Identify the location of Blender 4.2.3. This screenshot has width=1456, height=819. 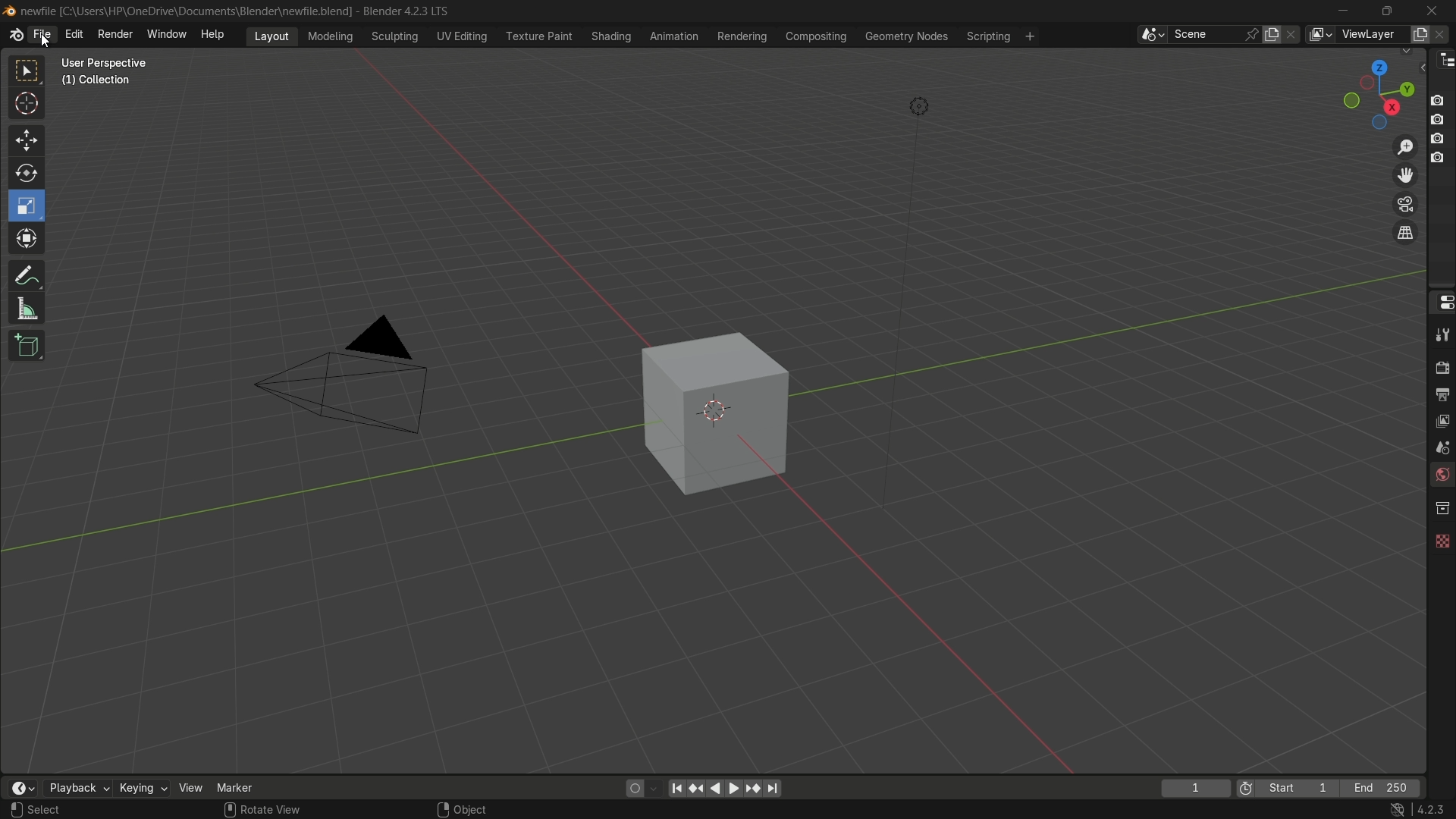
(402, 11).